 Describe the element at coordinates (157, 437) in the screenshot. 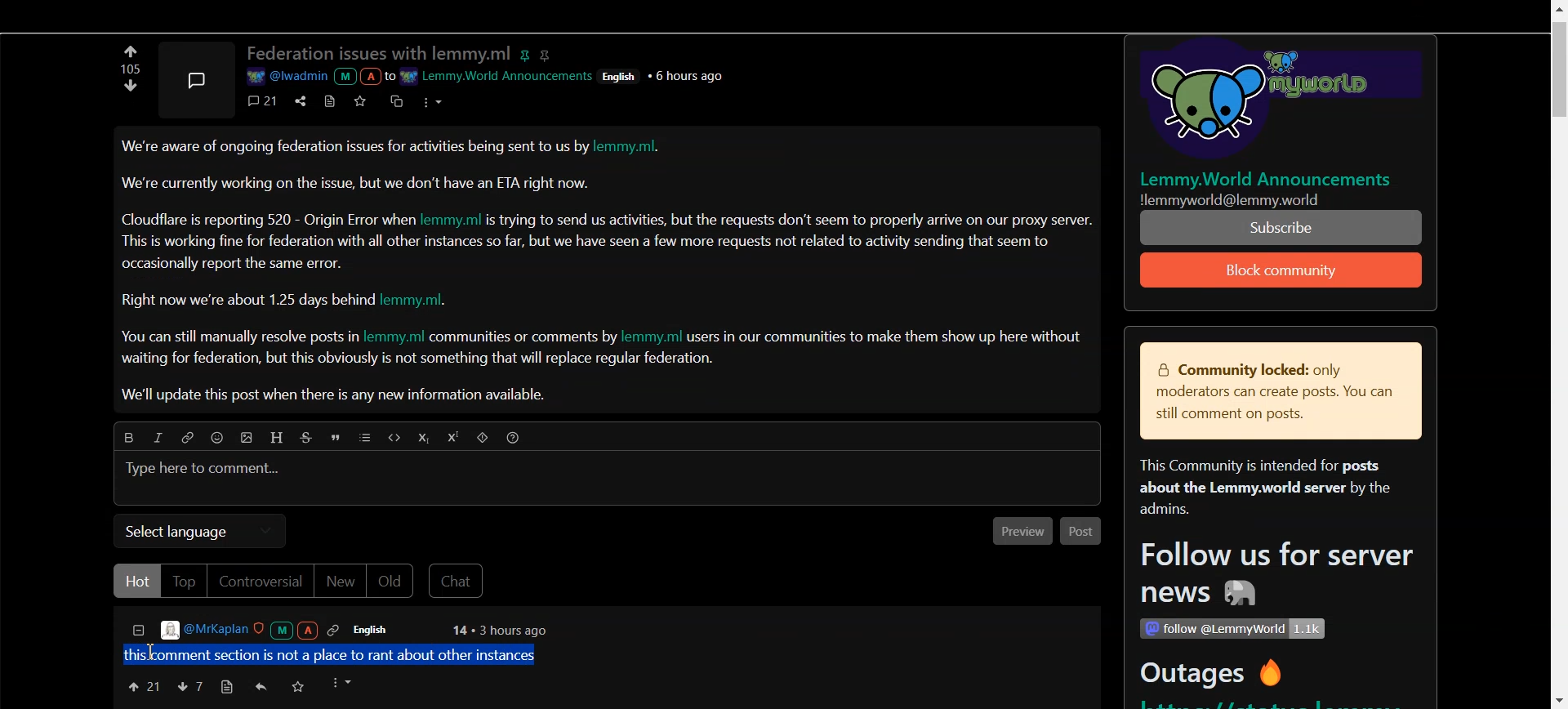

I see `Italic` at that location.